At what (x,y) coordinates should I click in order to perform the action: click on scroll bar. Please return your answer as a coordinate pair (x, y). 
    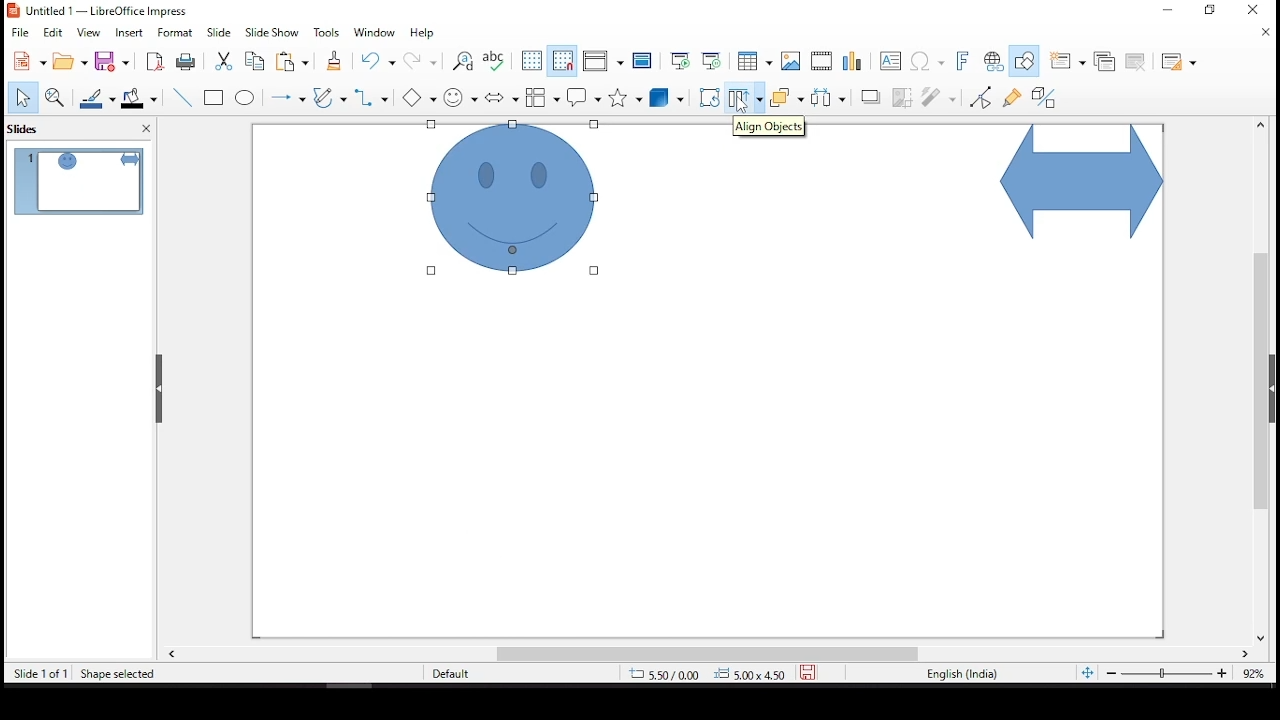
    Looking at the image, I should click on (707, 654).